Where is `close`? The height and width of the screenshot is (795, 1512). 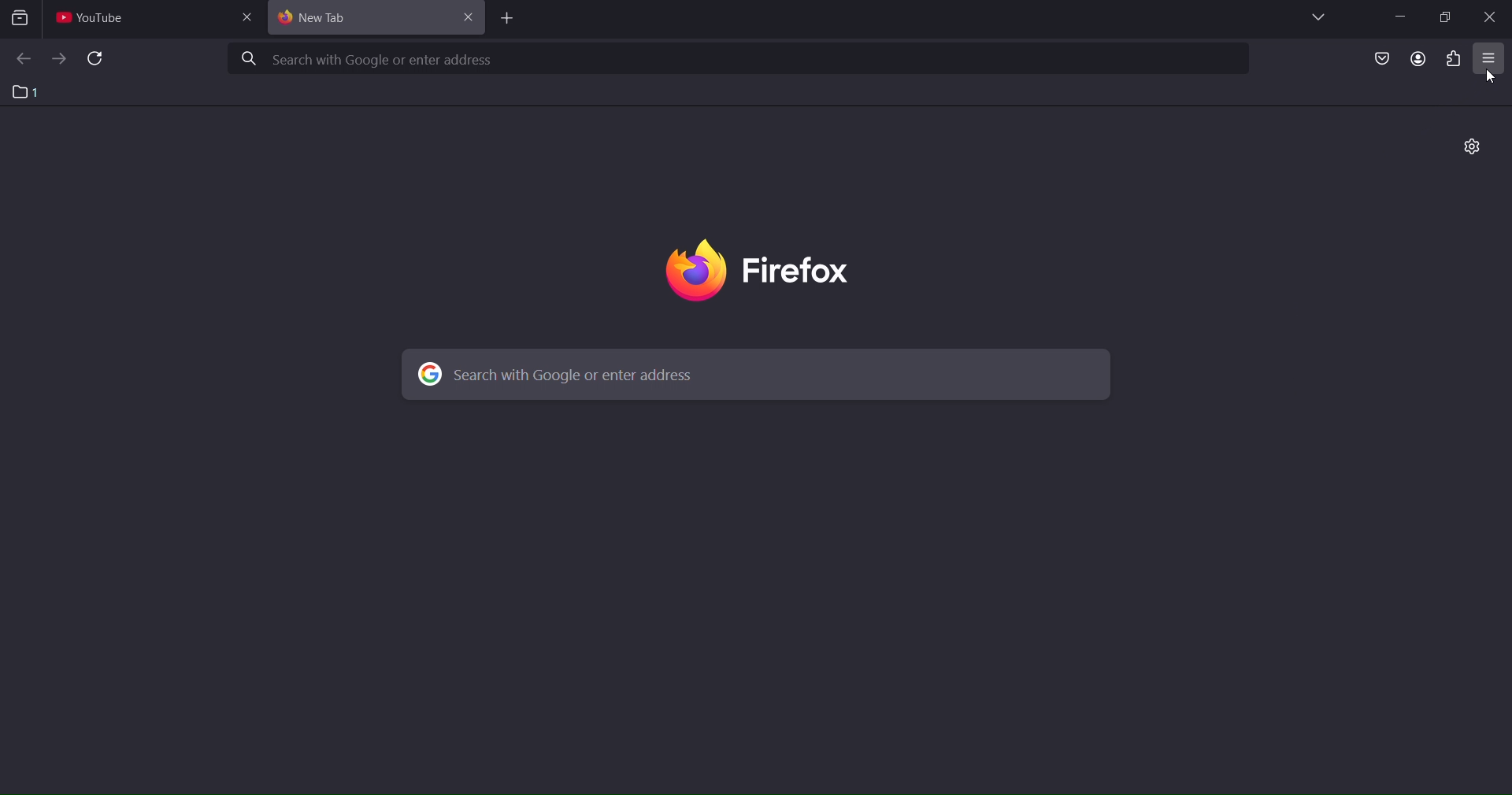
close is located at coordinates (470, 20).